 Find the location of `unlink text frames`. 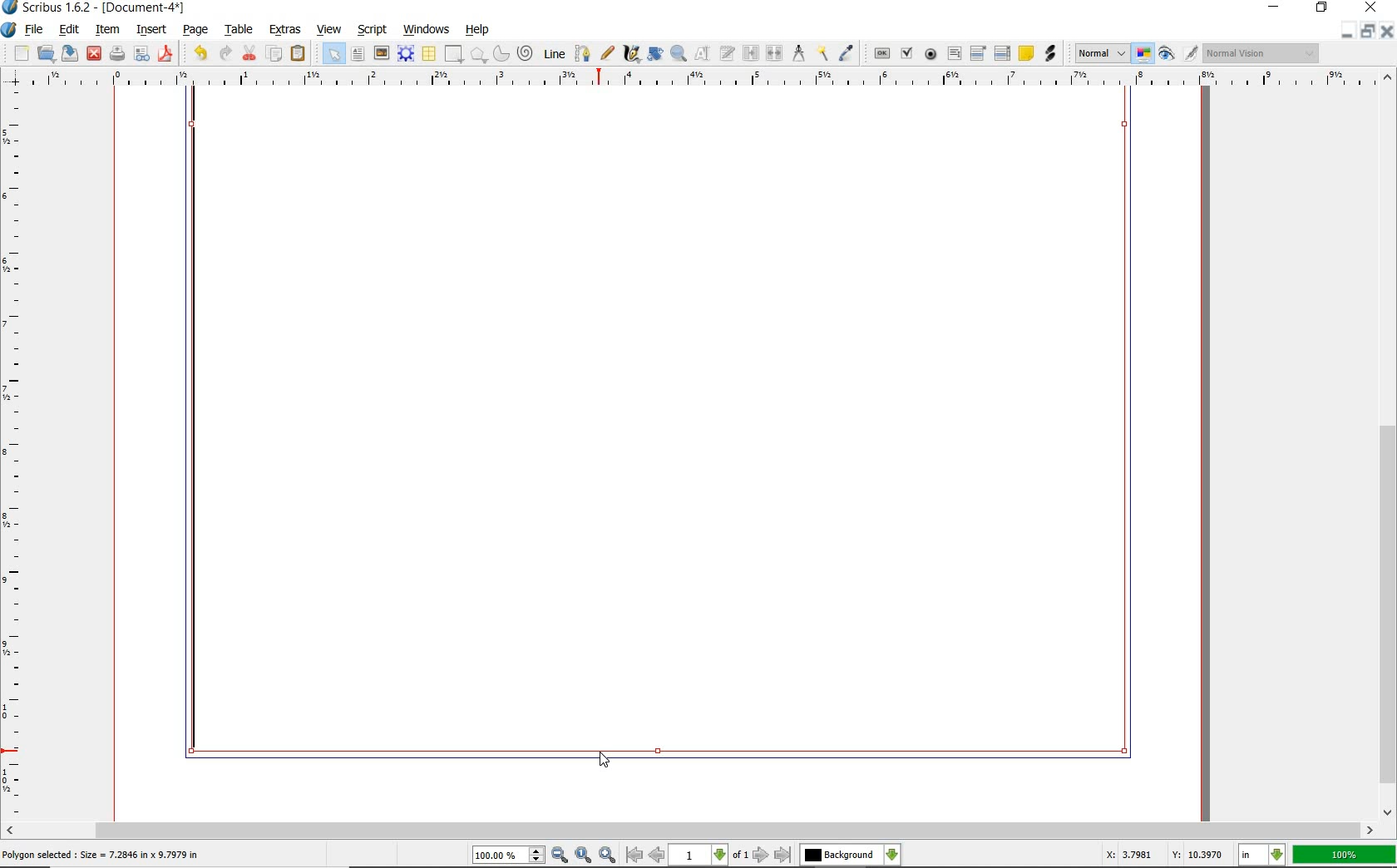

unlink text frames is located at coordinates (773, 52).